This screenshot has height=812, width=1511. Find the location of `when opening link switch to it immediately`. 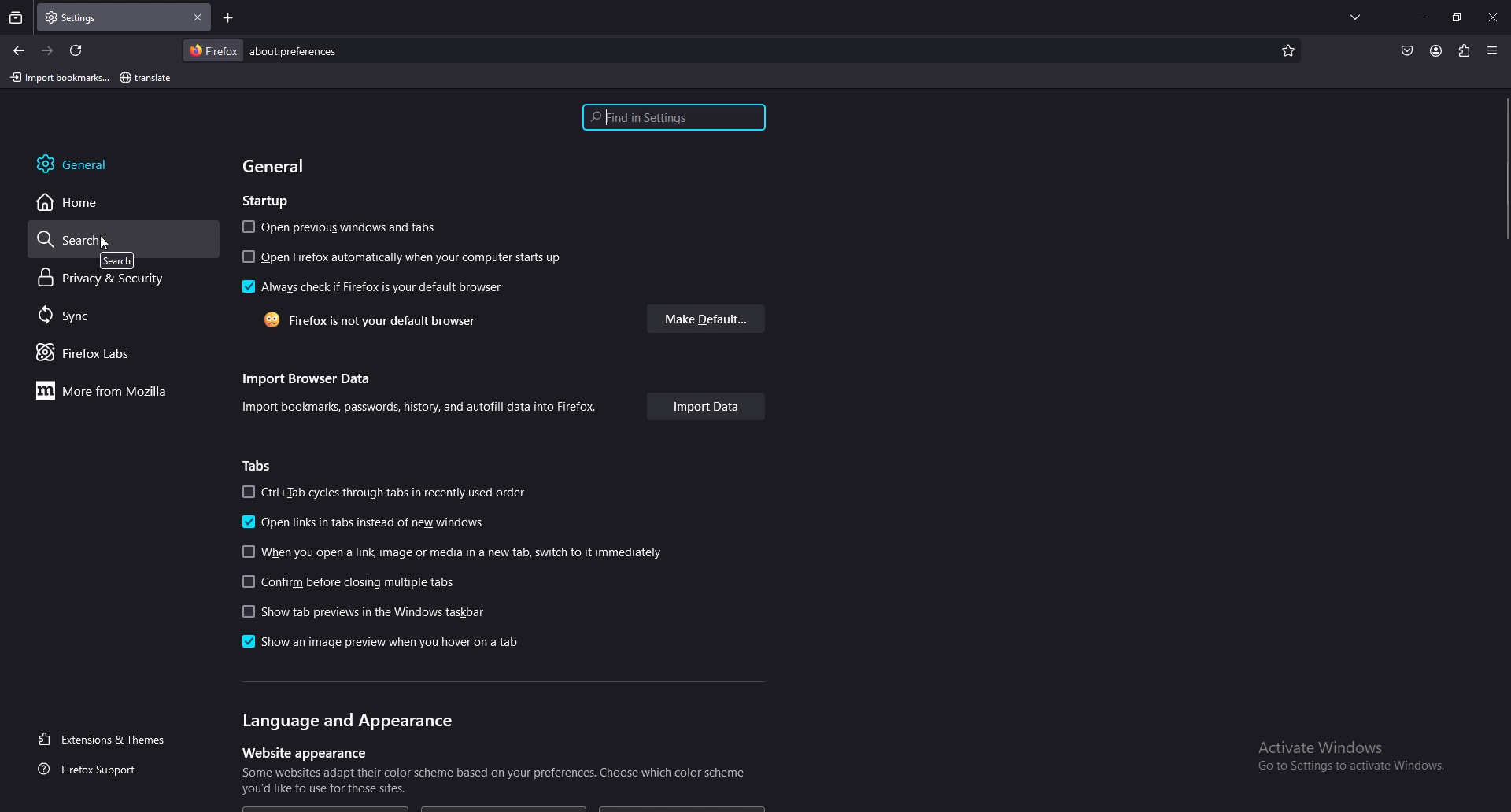

when opening link switch to it immediately is located at coordinates (452, 552).